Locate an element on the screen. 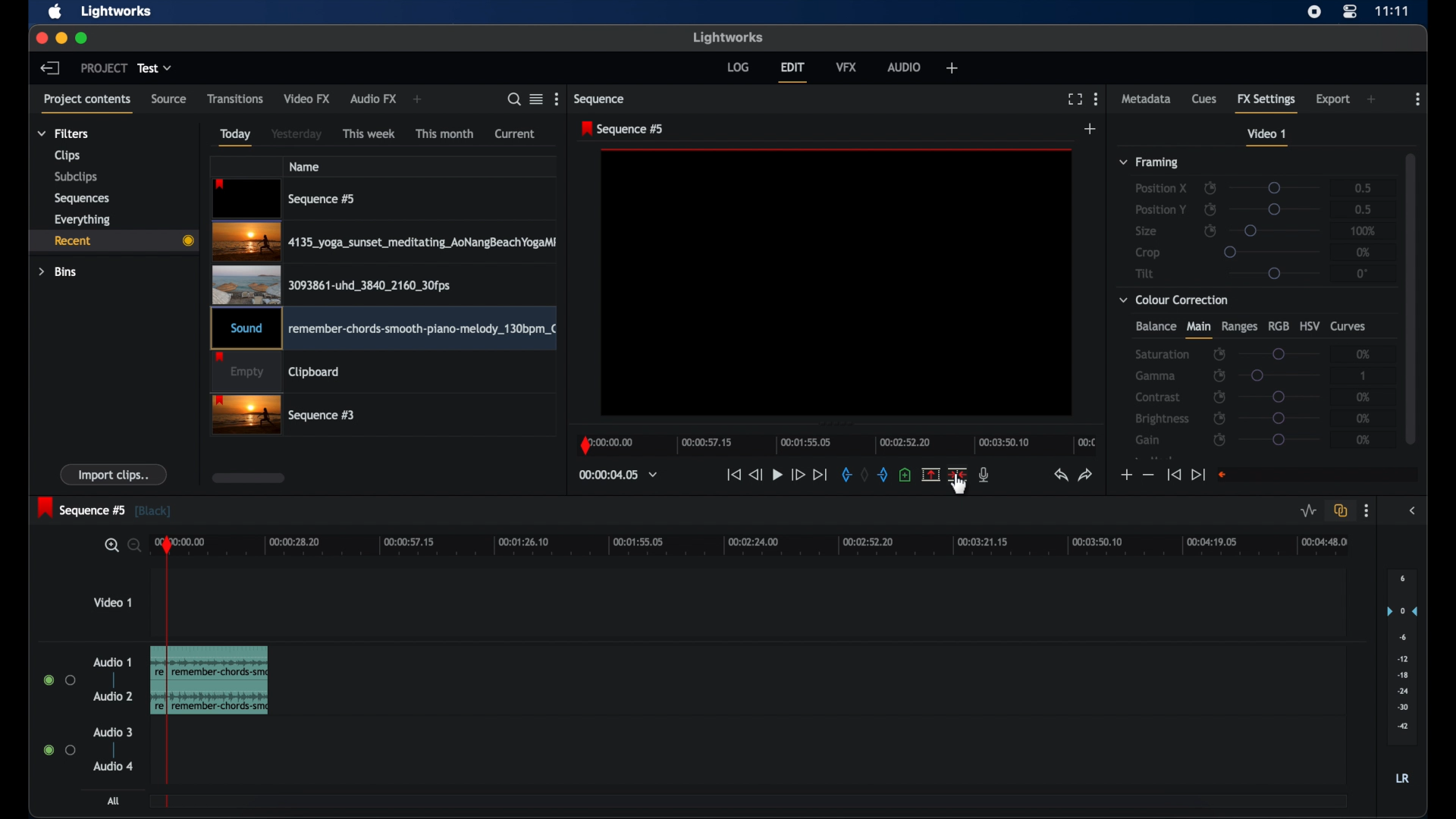  bins is located at coordinates (58, 272).